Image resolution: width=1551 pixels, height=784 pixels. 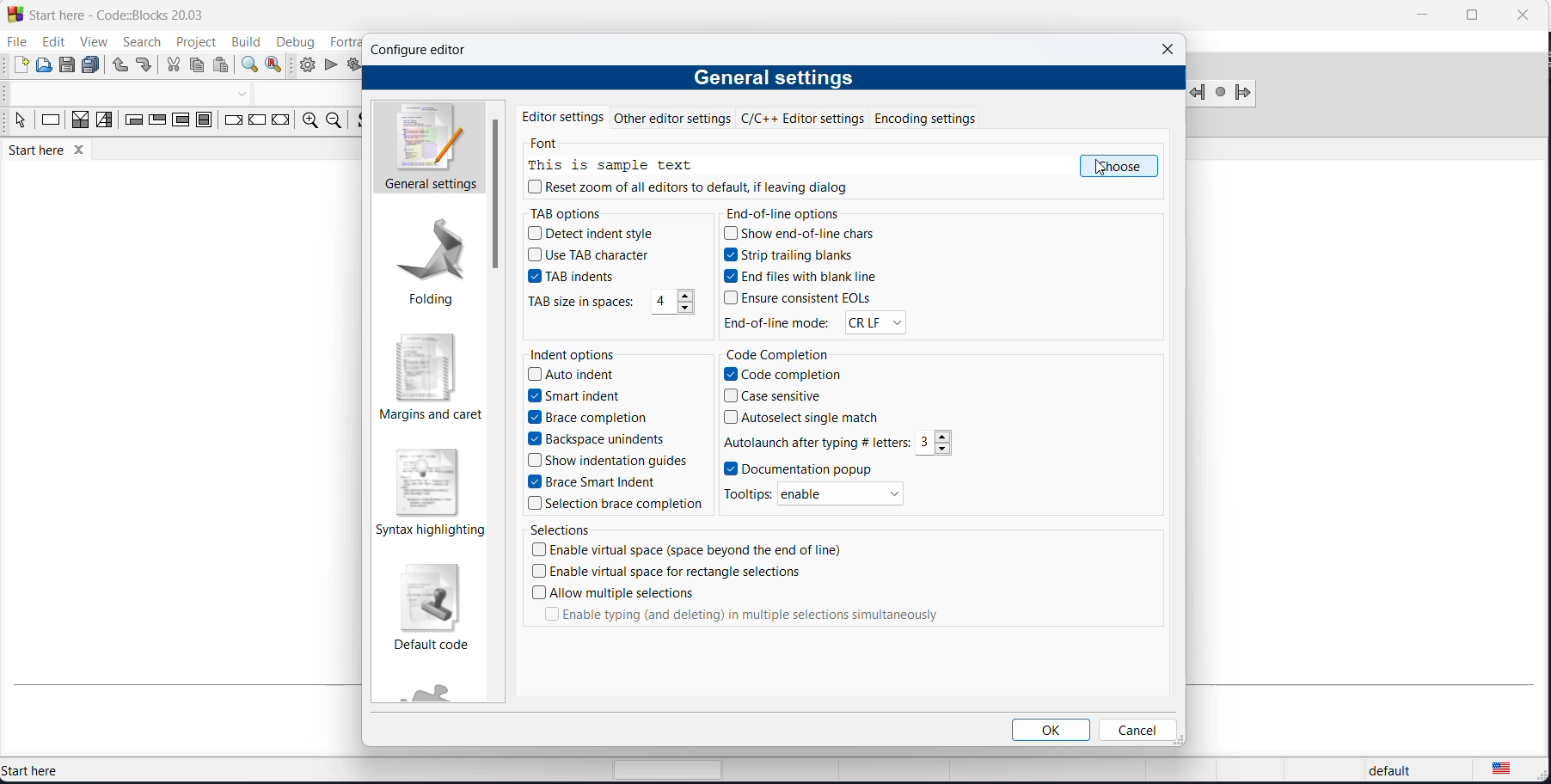 I want to click on brace completion, so click(x=580, y=419).